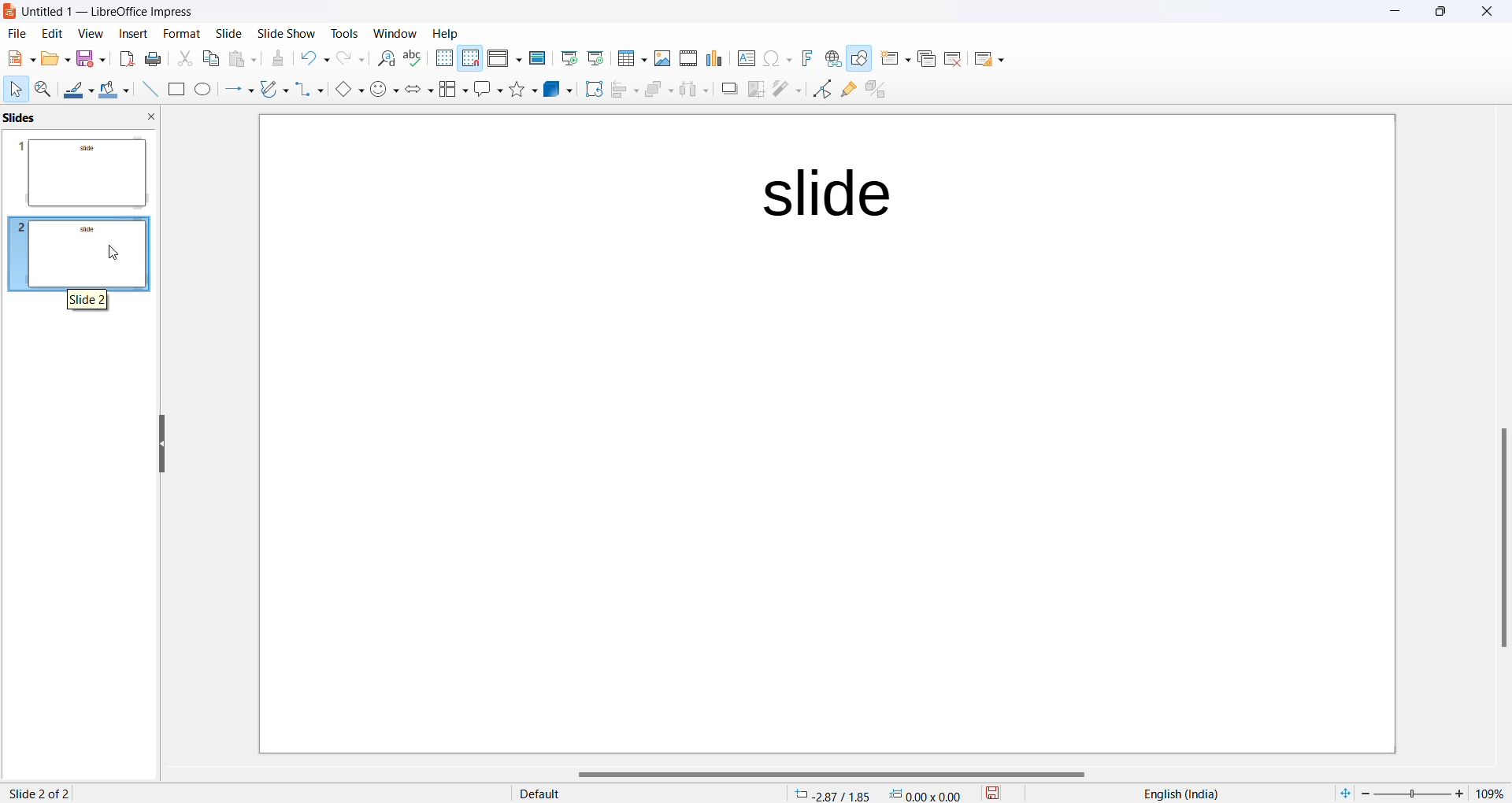 This screenshot has width=1512, height=803. What do you see at coordinates (830, 59) in the screenshot?
I see `Insert hyperlink` at bounding box center [830, 59].